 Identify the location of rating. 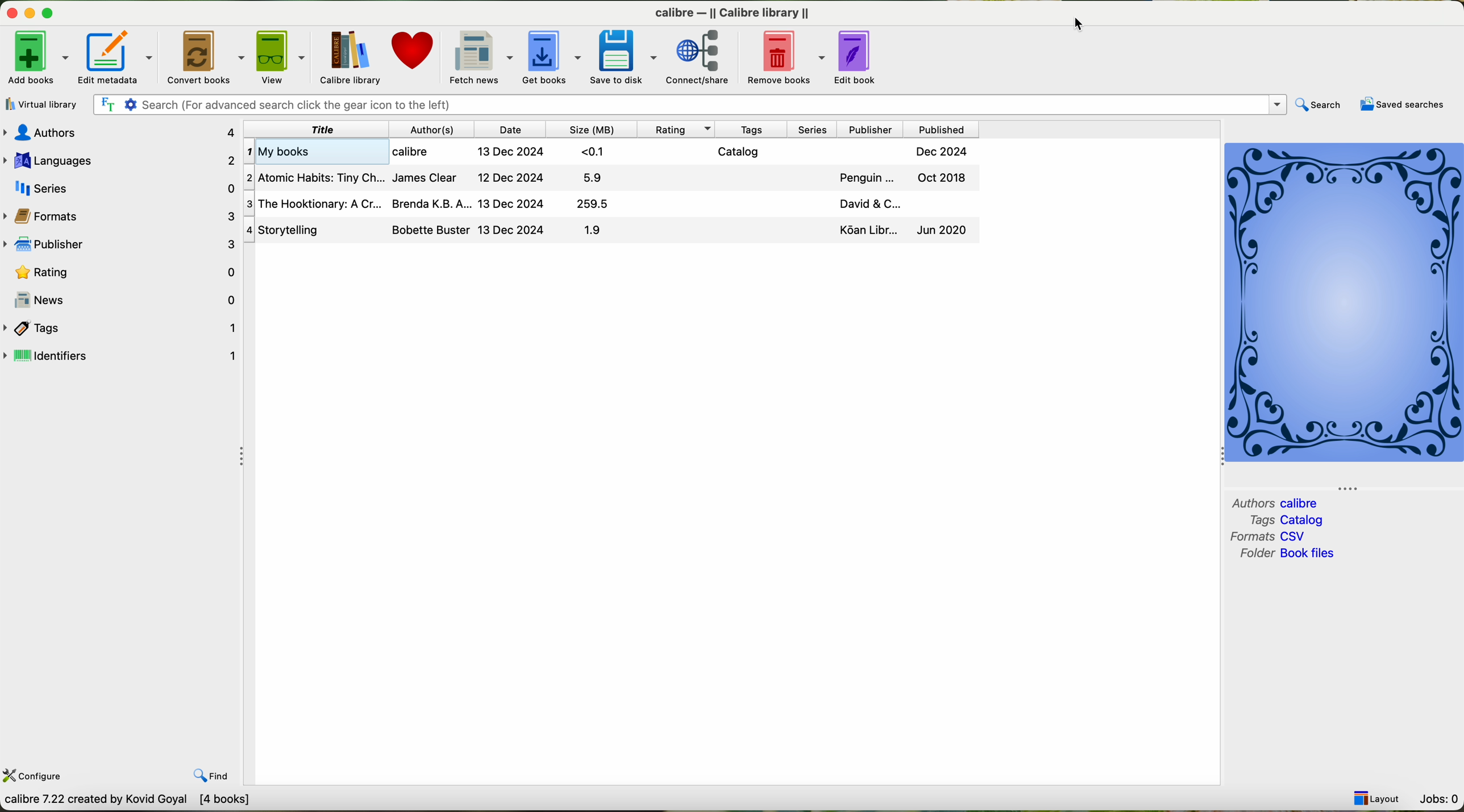
(125, 272).